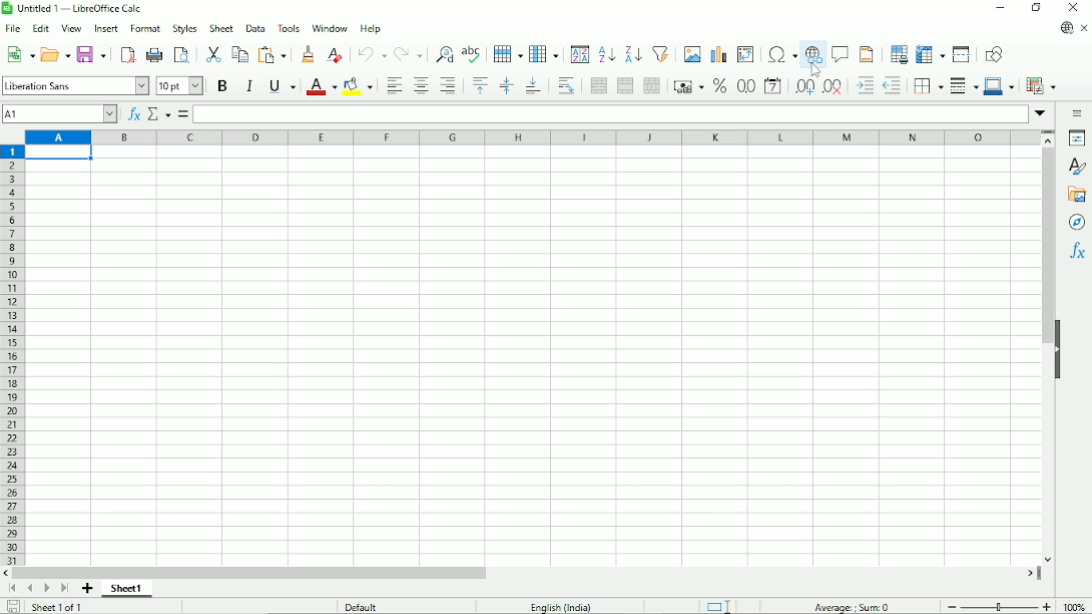 The width and height of the screenshot is (1092, 614). I want to click on Close document, so click(1084, 28).